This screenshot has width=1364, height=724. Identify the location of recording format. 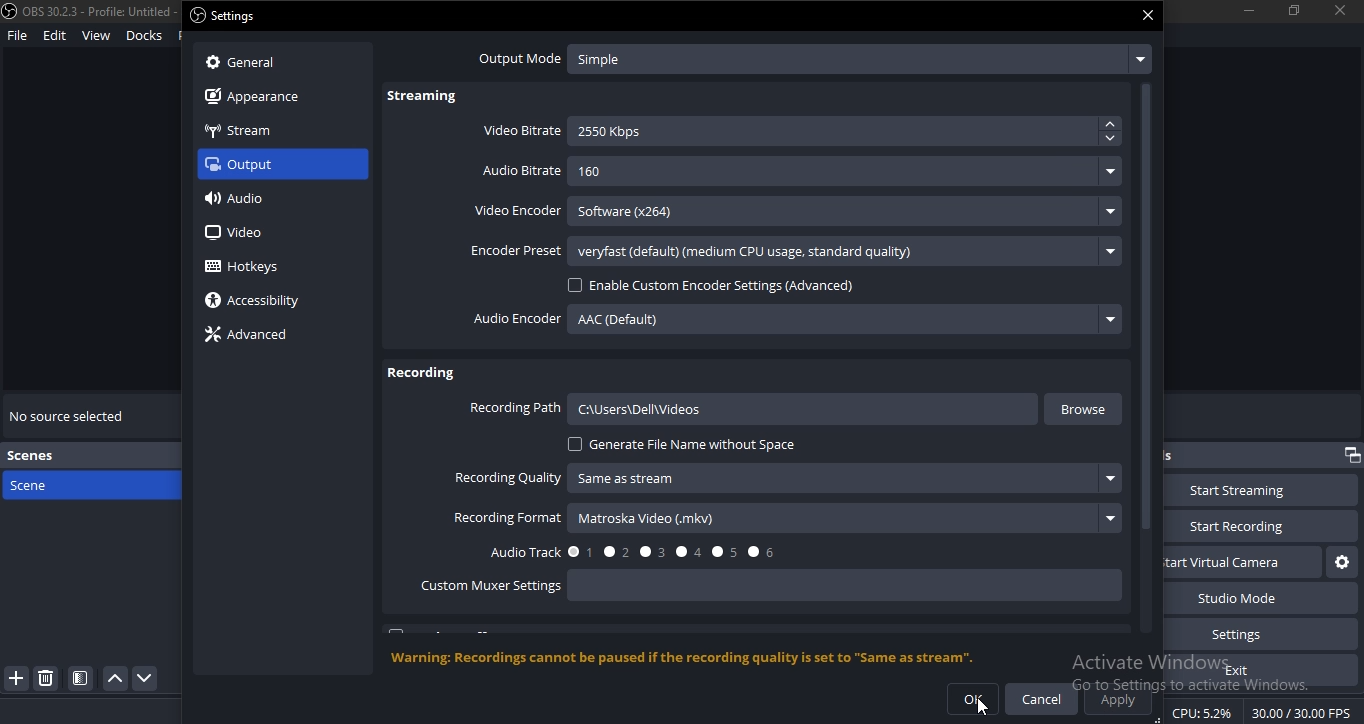
(508, 518).